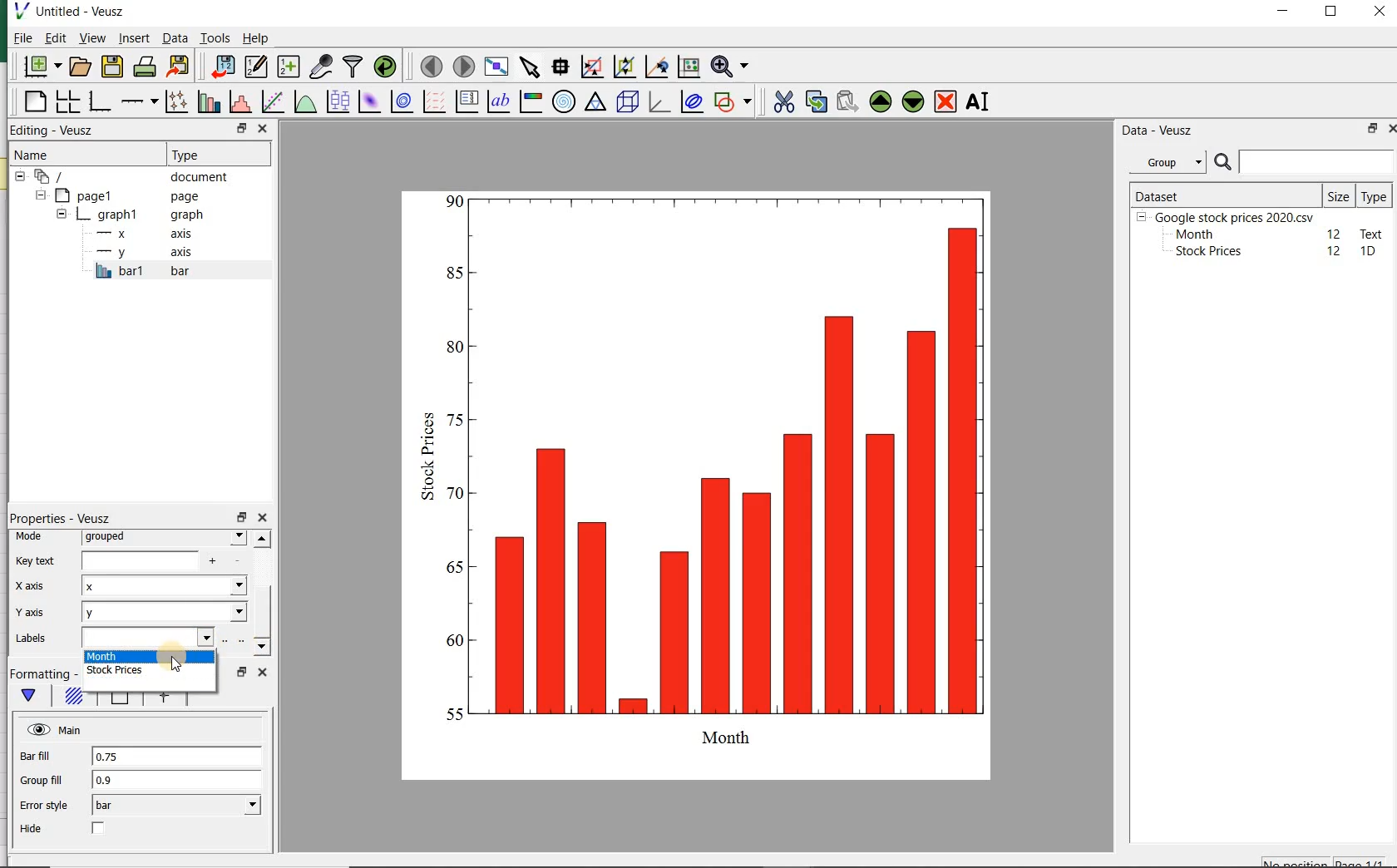 The width and height of the screenshot is (1397, 868). What do you see at coordinates (429, 65) in the screenshot?
I see `move to the previous page` at bounding box center [429, 65].